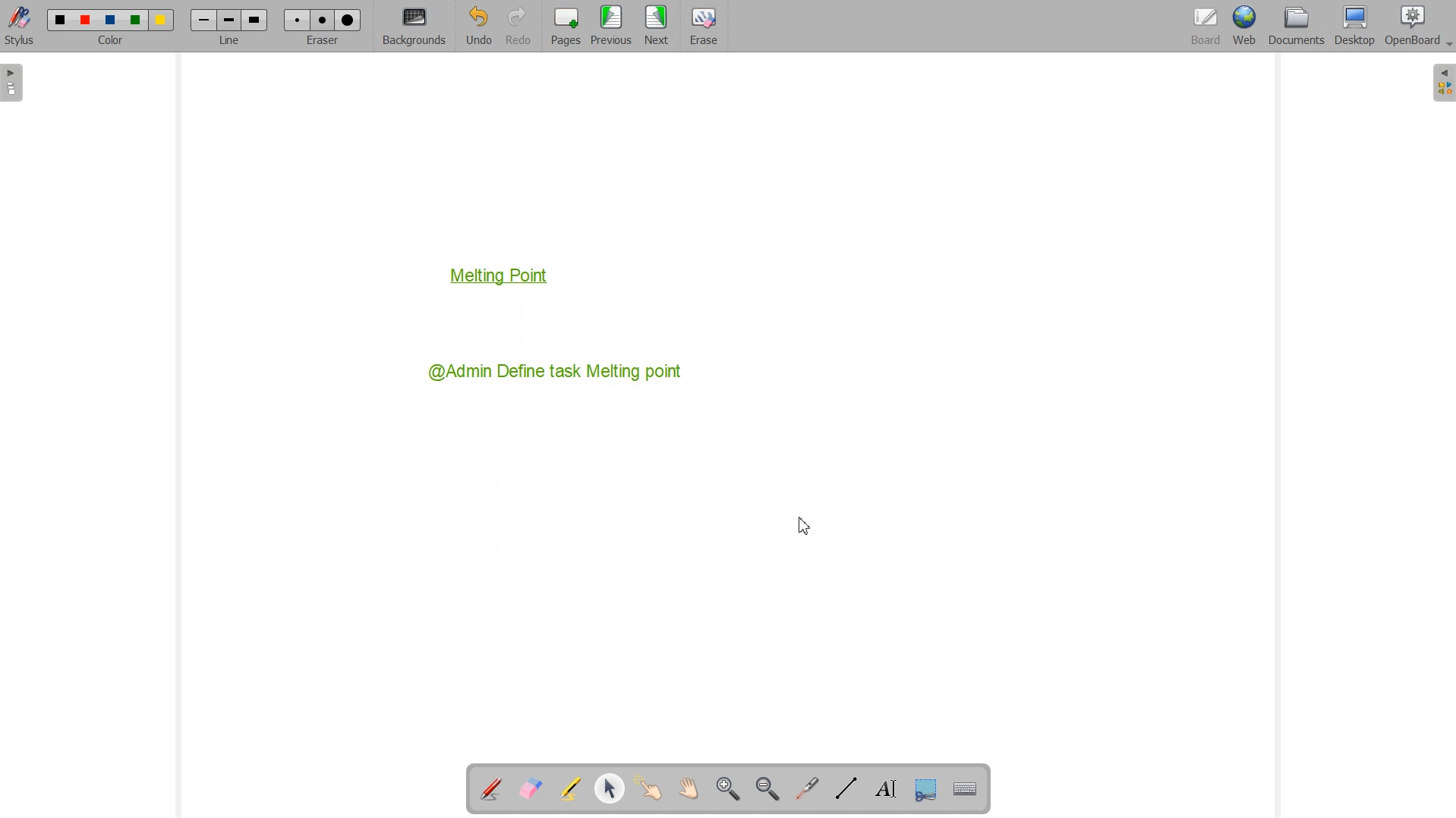 The height and width of the screenshot is (818, 1456). What do you see at coordinates (1203, 27) in the screenshot?
I see `Board` at bounding box center [1203, 27].